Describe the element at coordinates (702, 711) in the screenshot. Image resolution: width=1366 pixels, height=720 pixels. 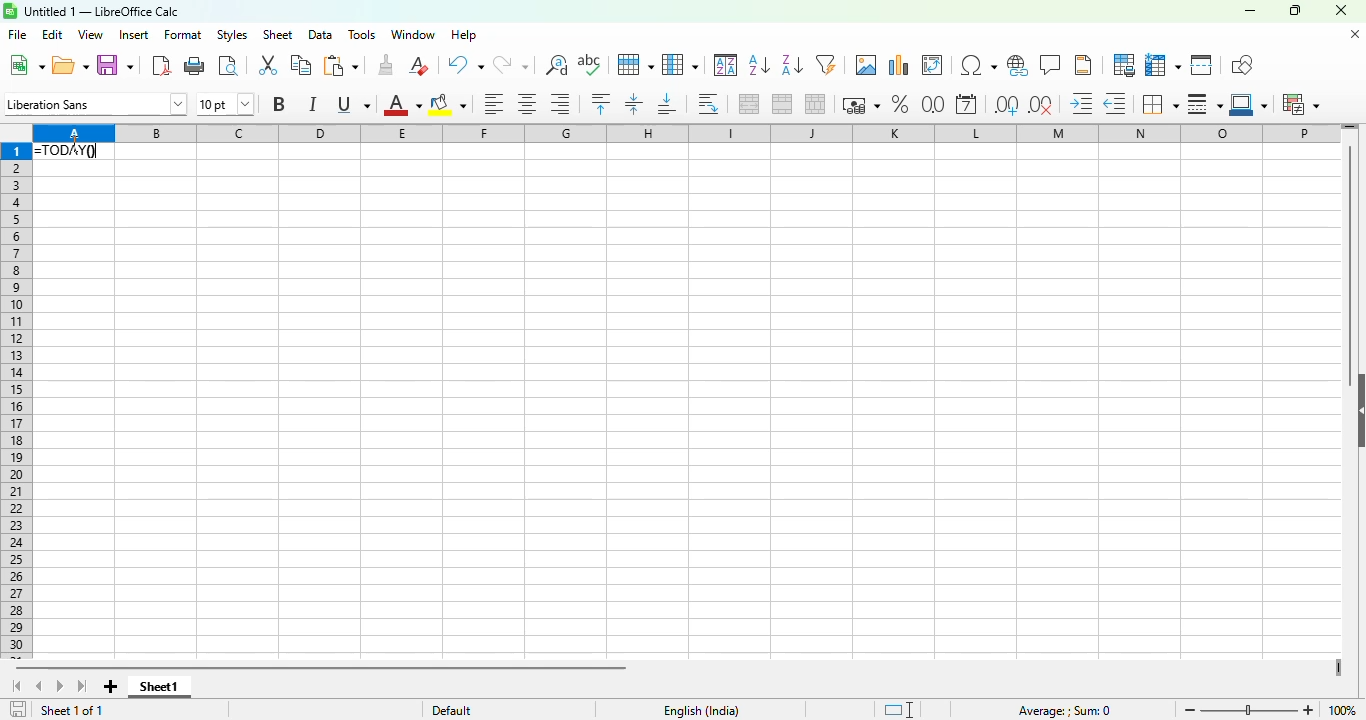
I see `text language` at that location.